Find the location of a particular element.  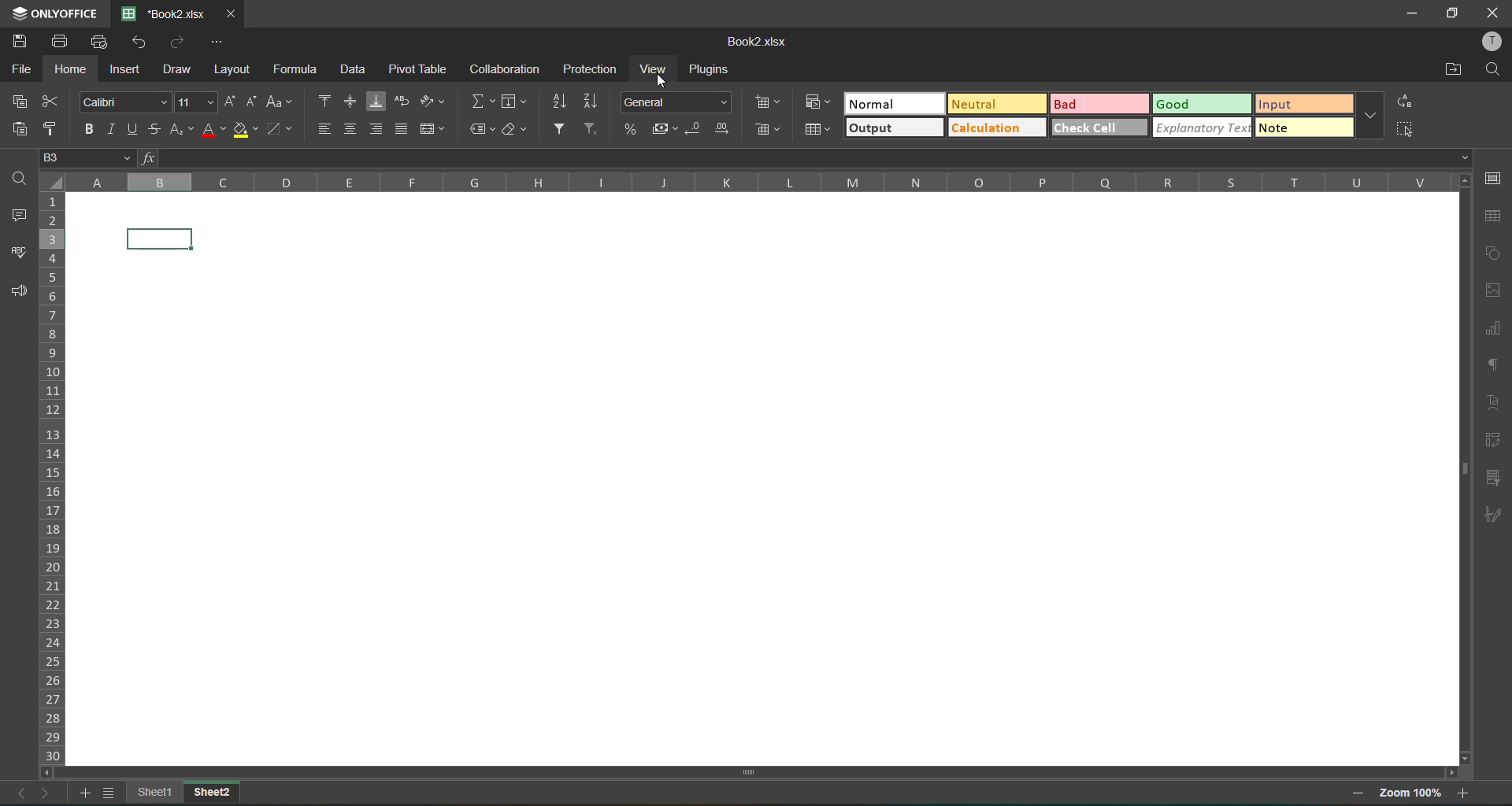

font style is located at coordinates (127, 102).